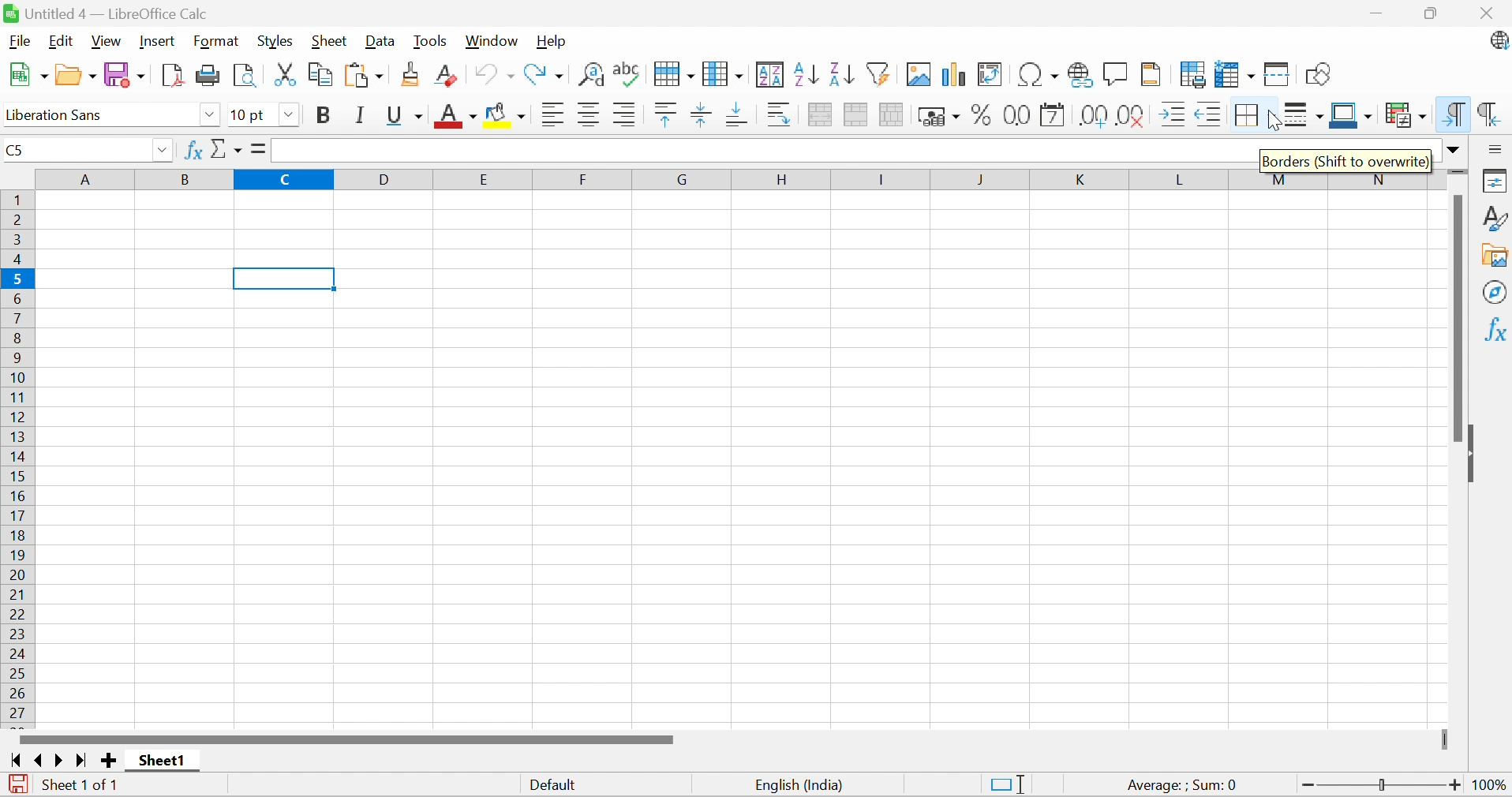  Describe the element at coordinates (1456, 316) in the screenshot. I see `Scroll bar` at that location.